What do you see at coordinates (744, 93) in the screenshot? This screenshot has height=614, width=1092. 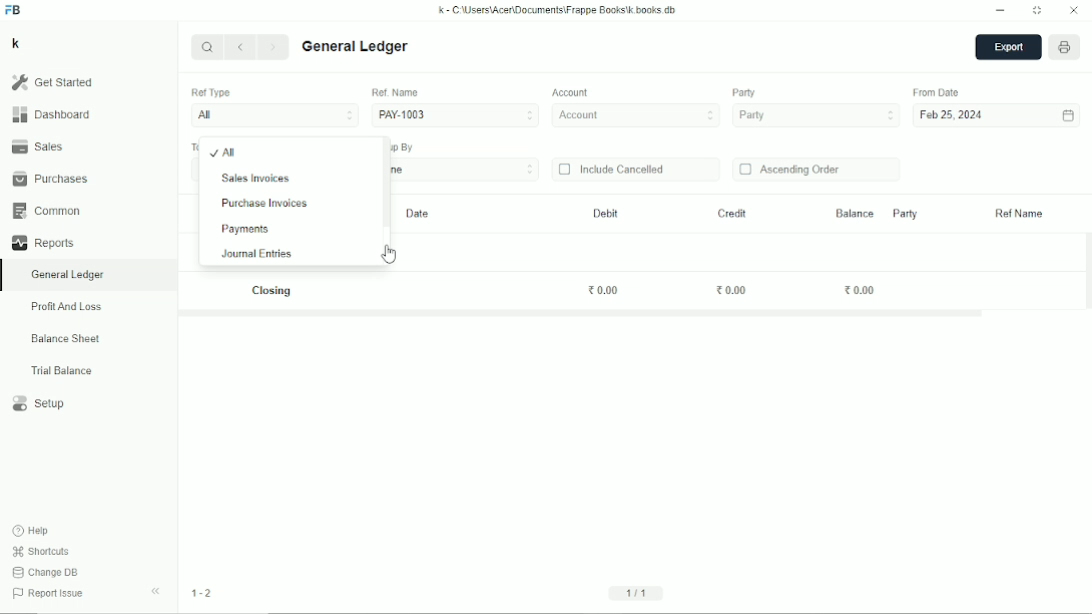 I see `Party` at bounding box center [744, 93].